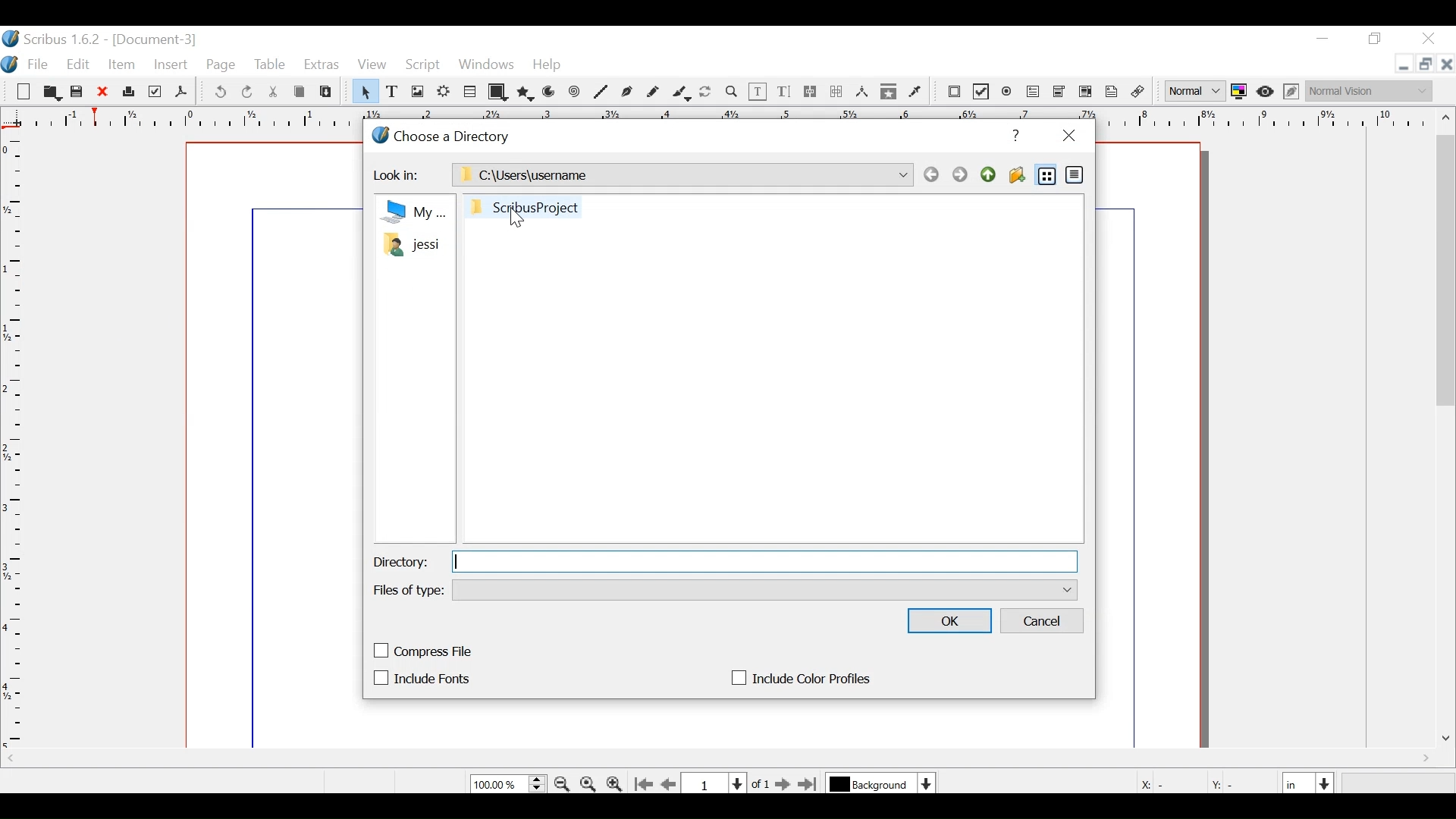 This screenshot has width=1456, height=819. What do you see at coordinates (12, 458) in the screenshot?
I see `` at bounding box center [12, 458].